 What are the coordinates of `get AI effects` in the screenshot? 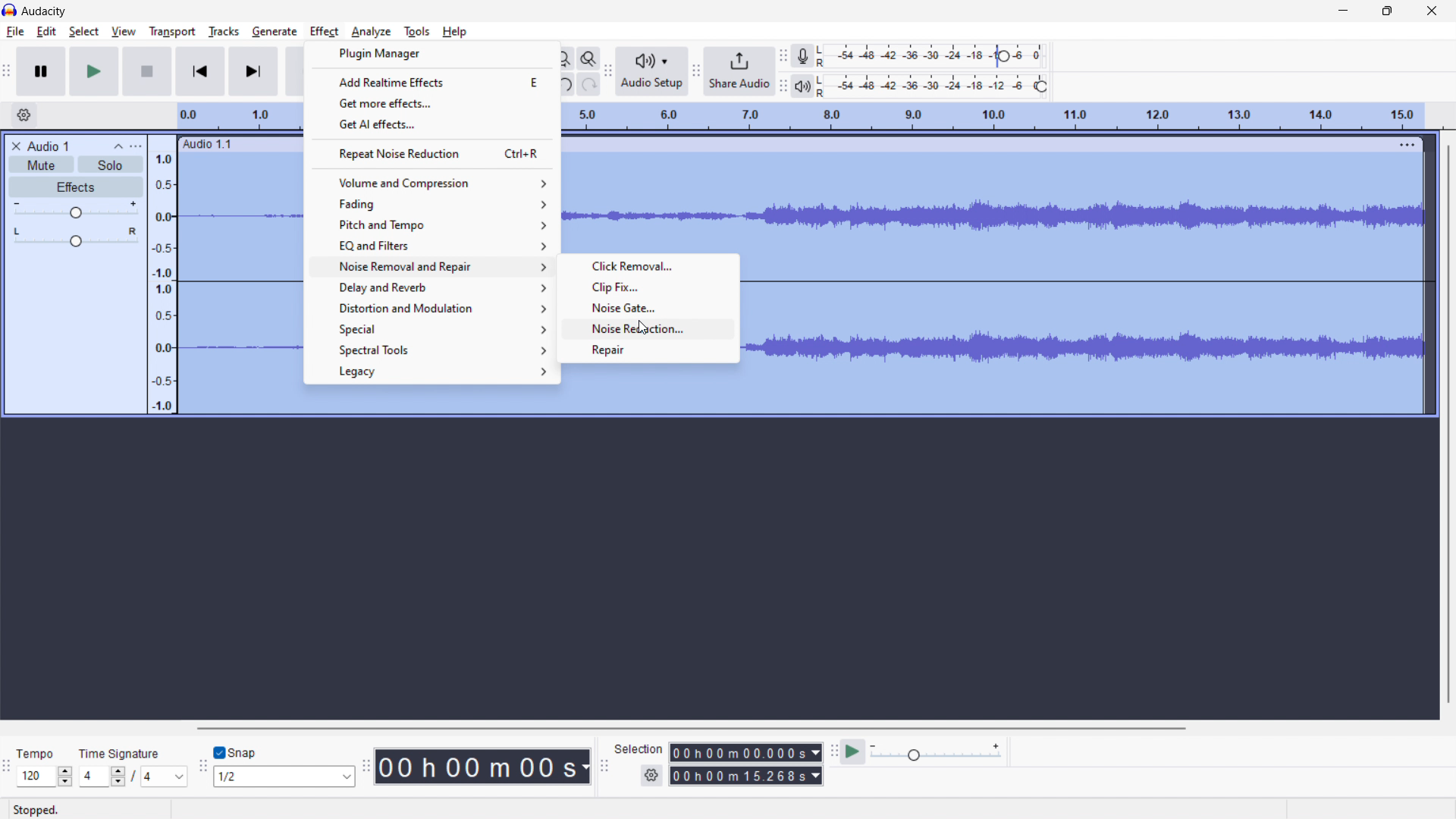 It's located at (431, 124).